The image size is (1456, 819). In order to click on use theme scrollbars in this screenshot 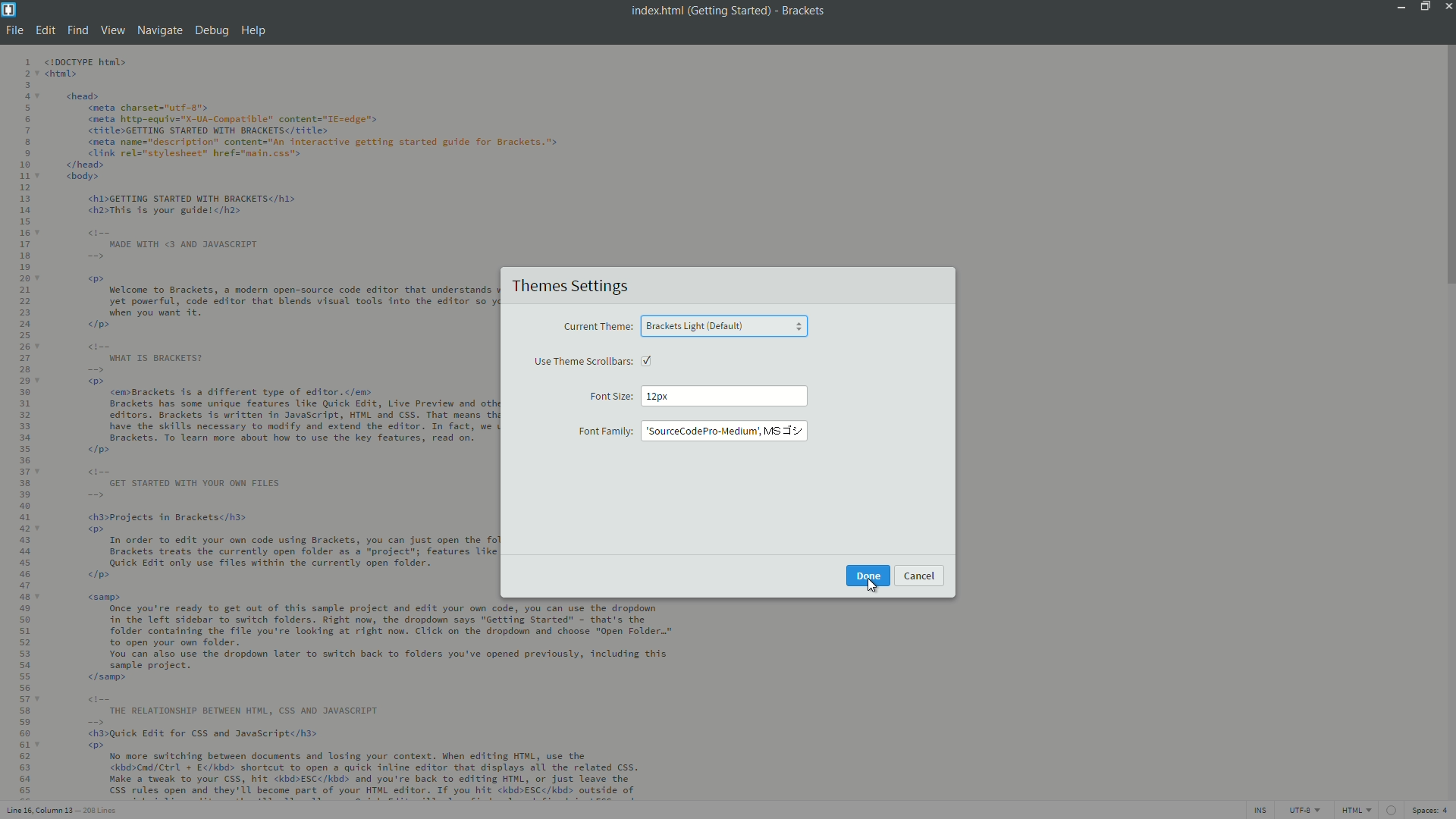, I will do `click(584, 362)`.